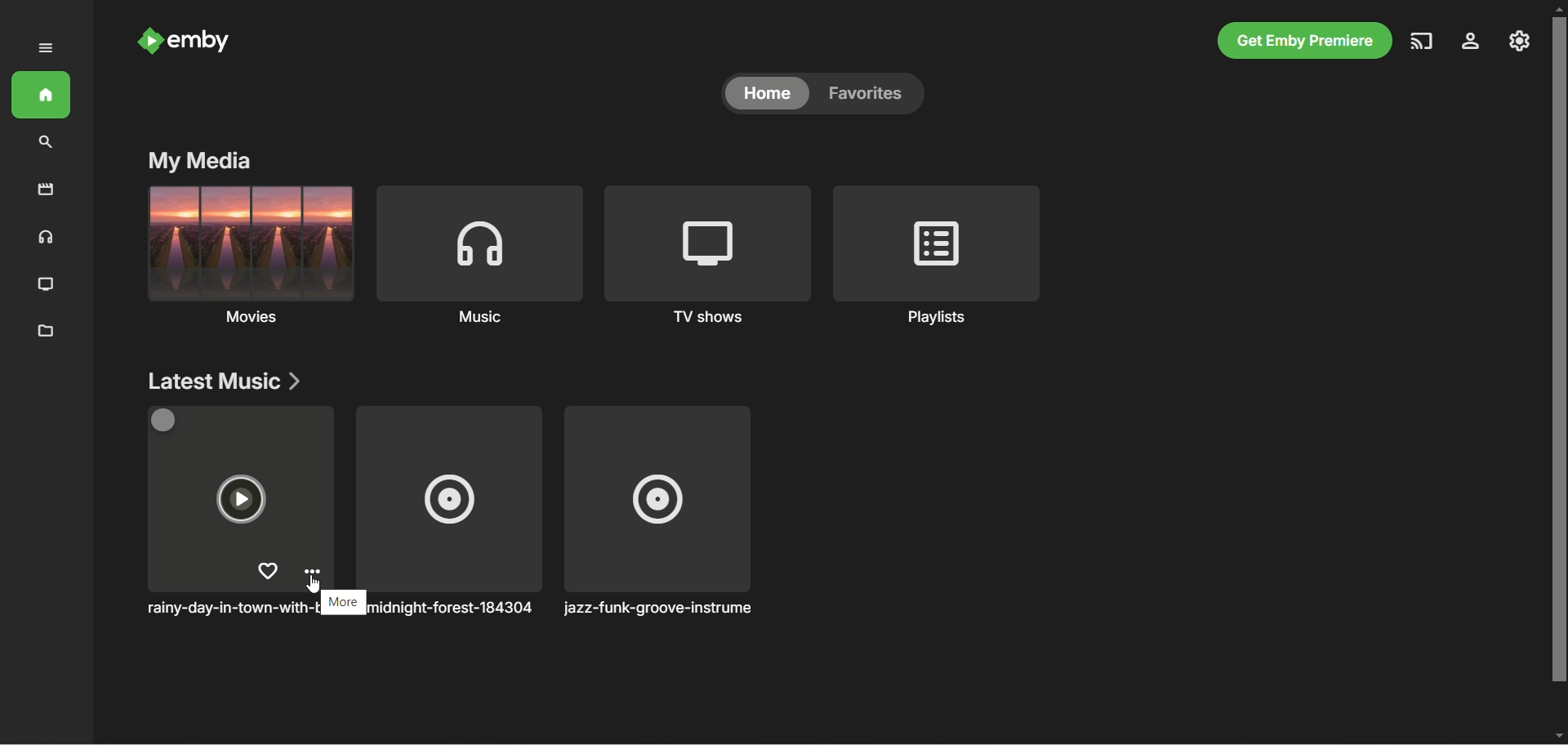  Describe the element at coordinates (241, 498) in the screenshot. I see `Play button` at that location.